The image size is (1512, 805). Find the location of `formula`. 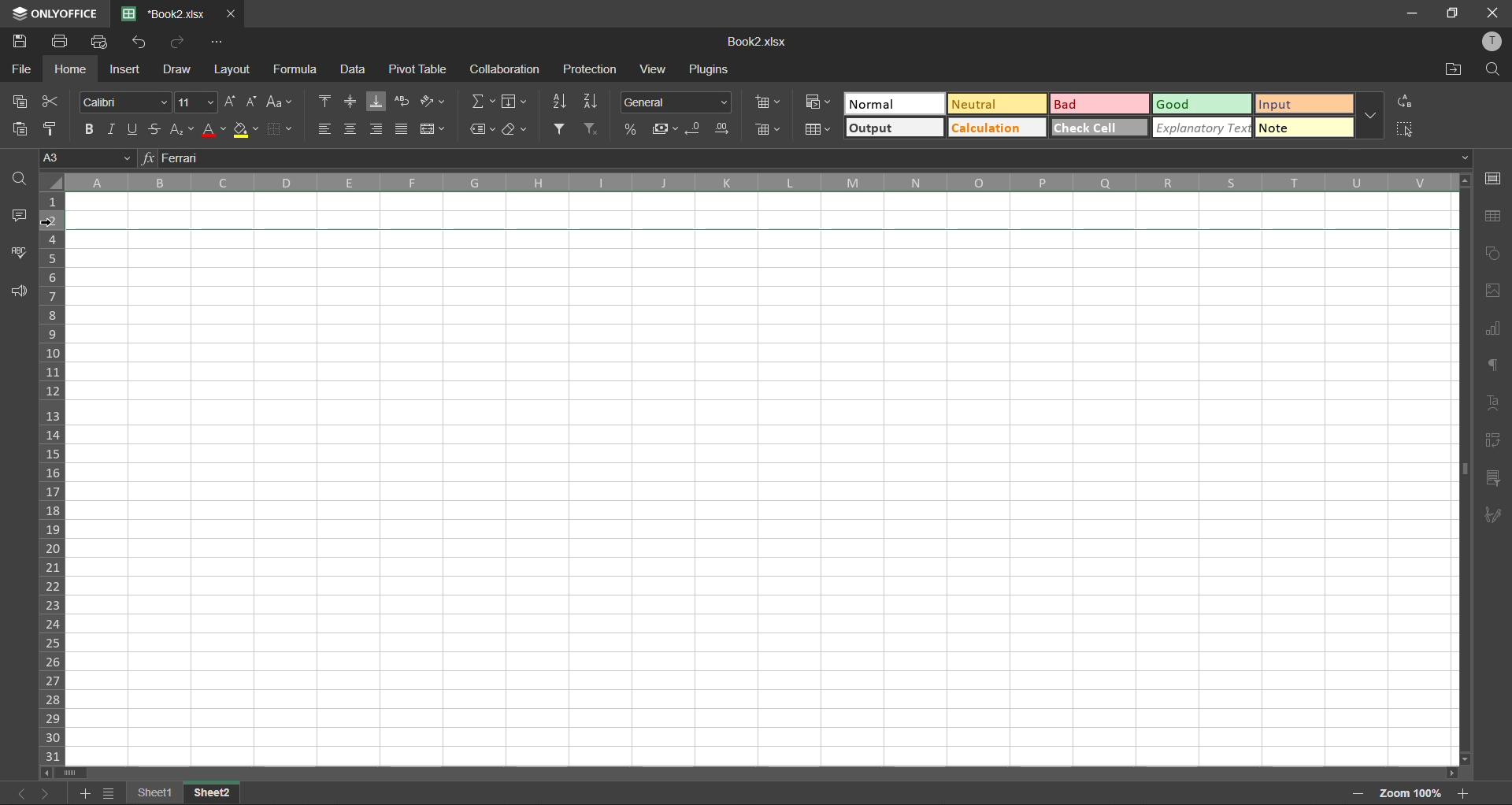

formula is located at coordinates (299, 72).